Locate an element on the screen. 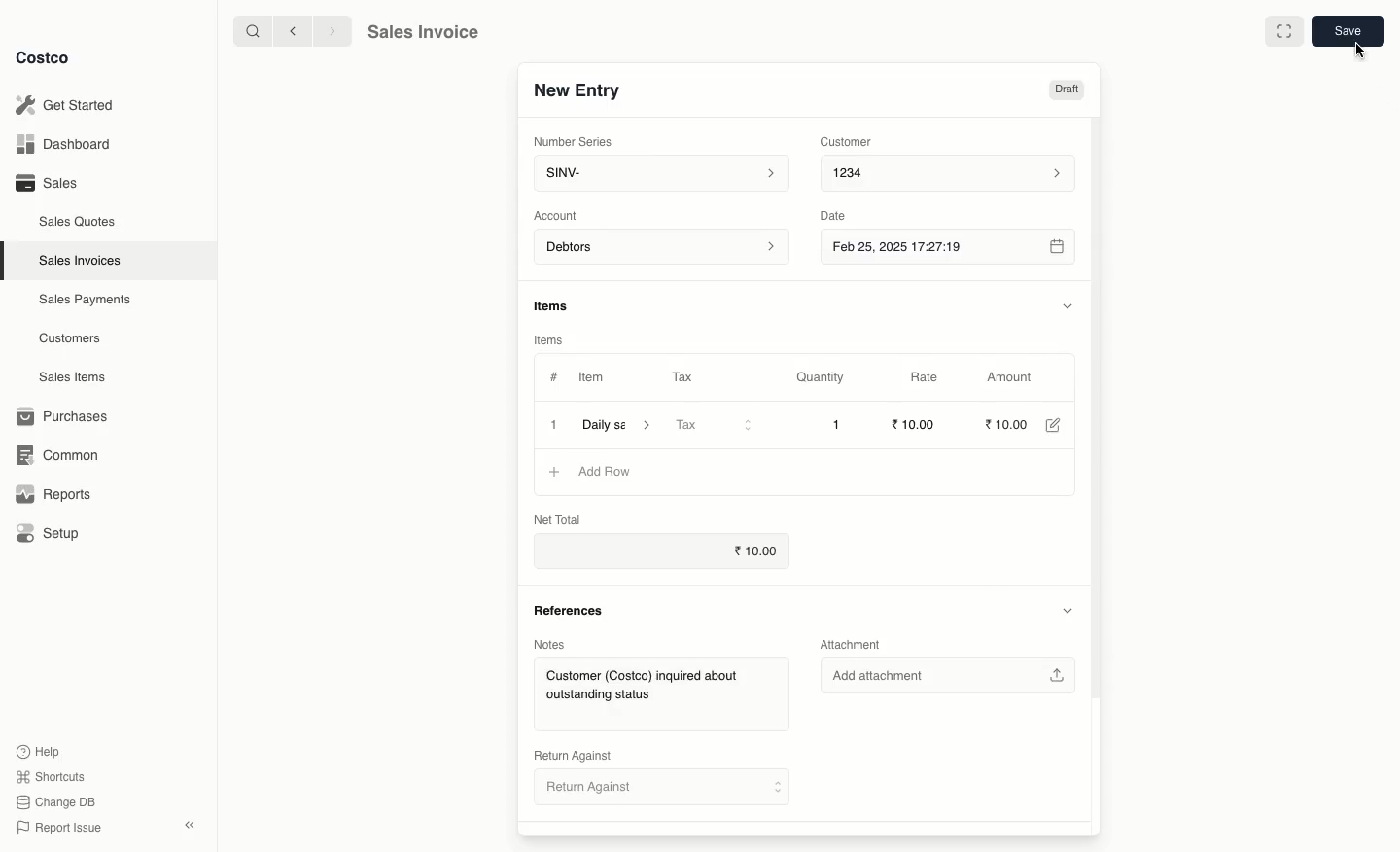 Image resolution: width=1400 pixels, height=852 pixels. Retum Against  is located at coordinates (663, 790).